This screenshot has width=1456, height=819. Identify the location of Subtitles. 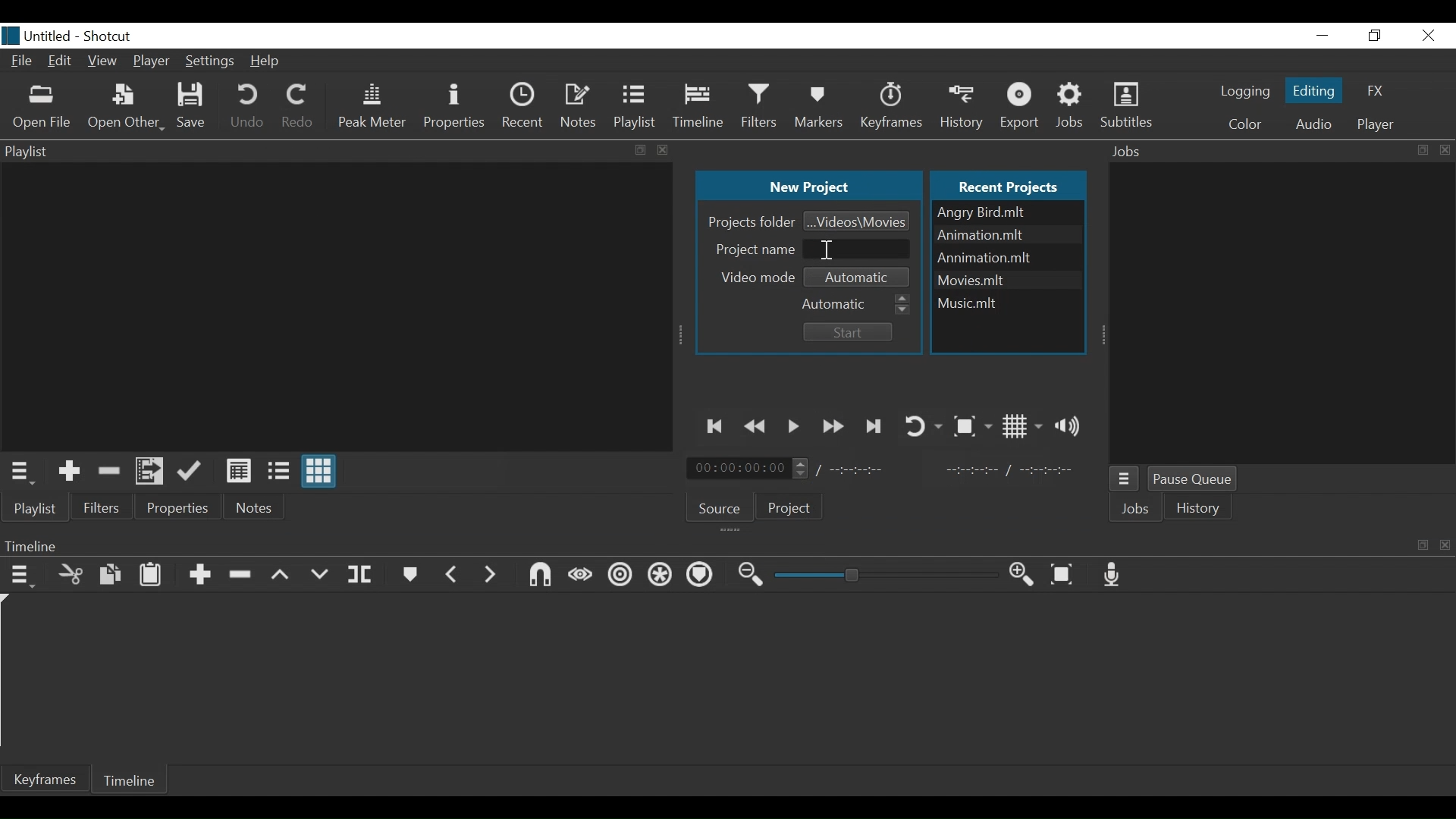
(1126, 106).